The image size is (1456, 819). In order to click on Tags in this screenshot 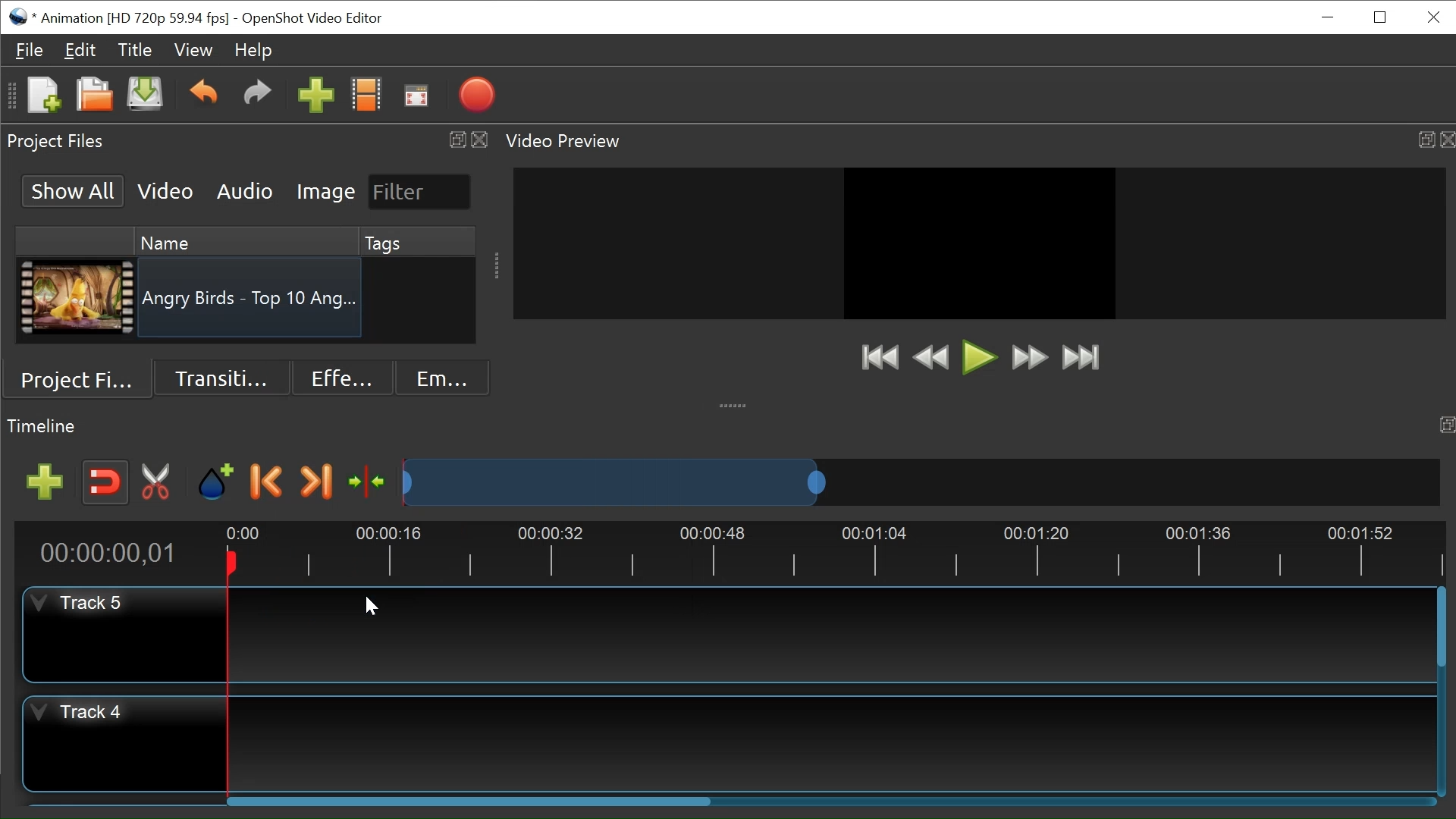, I will do `click(395, 241)`.